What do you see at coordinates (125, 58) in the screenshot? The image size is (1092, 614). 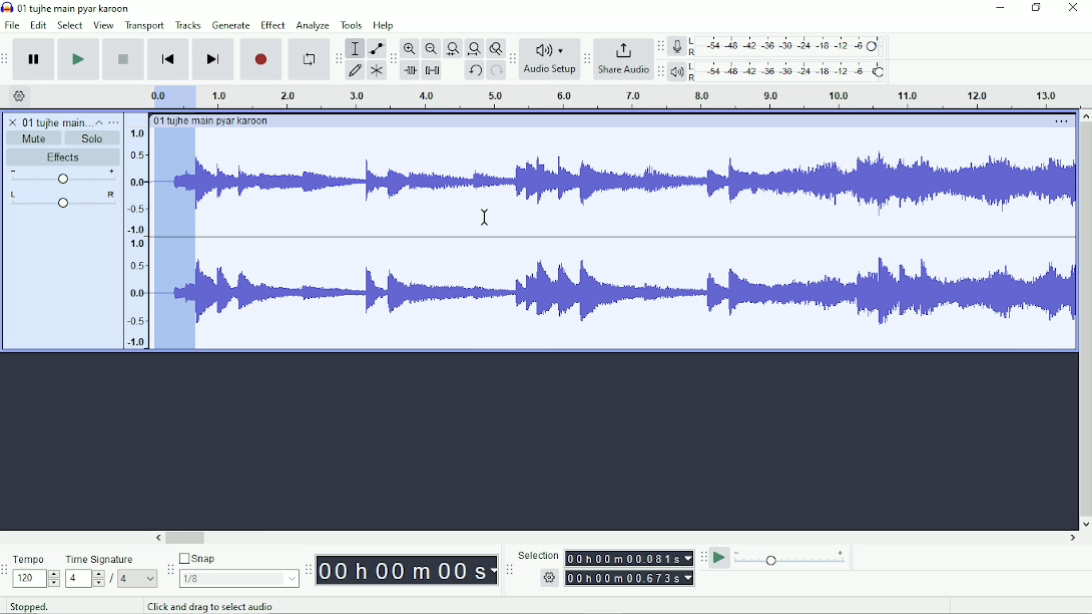 I see `Stop` at bounding box center [125, 58].